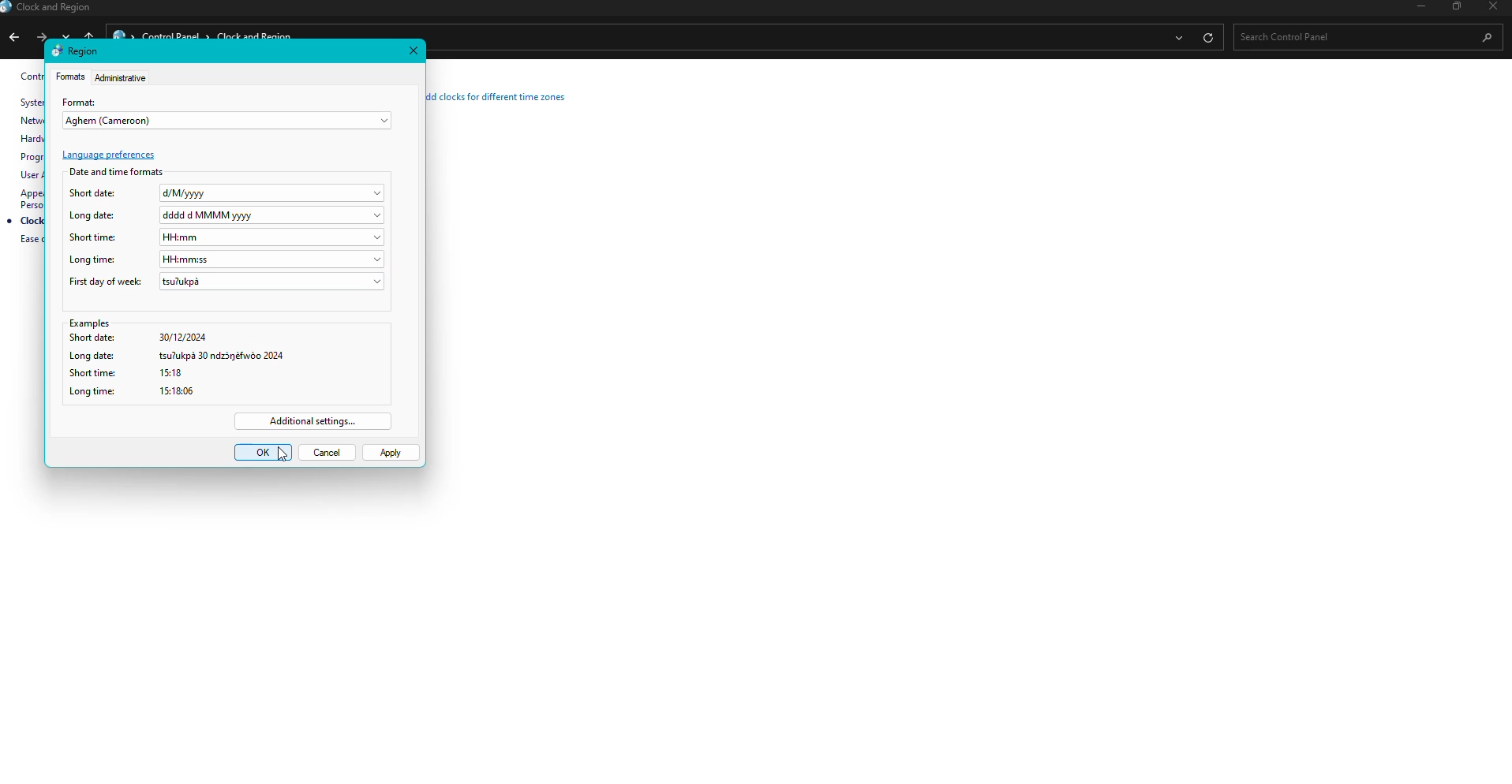 This screenshot has height=784, width=1512. Describe the element at coordinates (263, 453) in the screenshot. I see `OK` at that location.